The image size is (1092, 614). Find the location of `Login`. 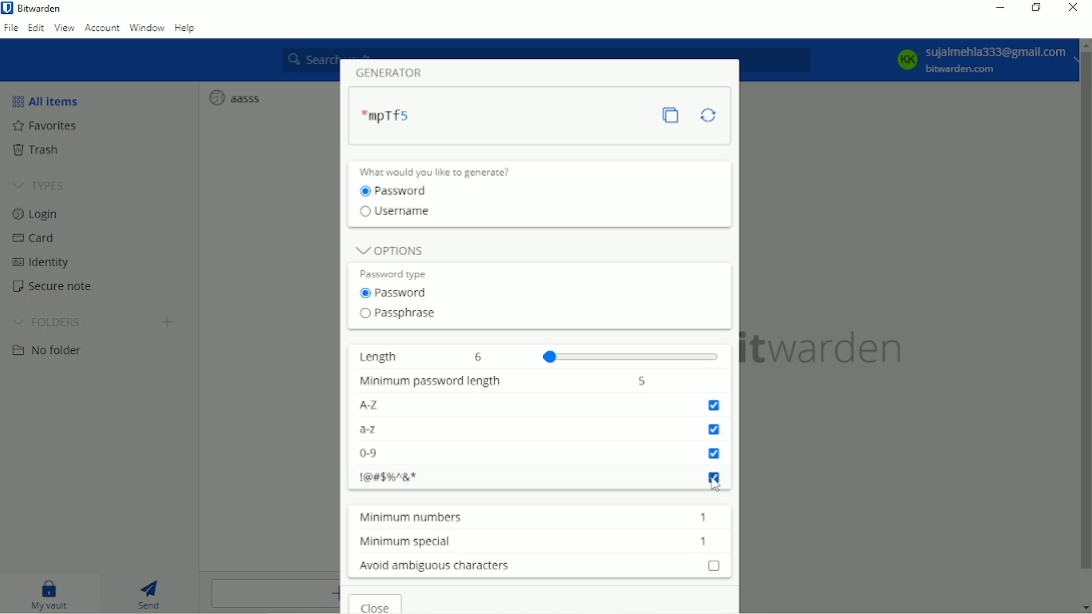

Login is located at coordinates (37, 213).